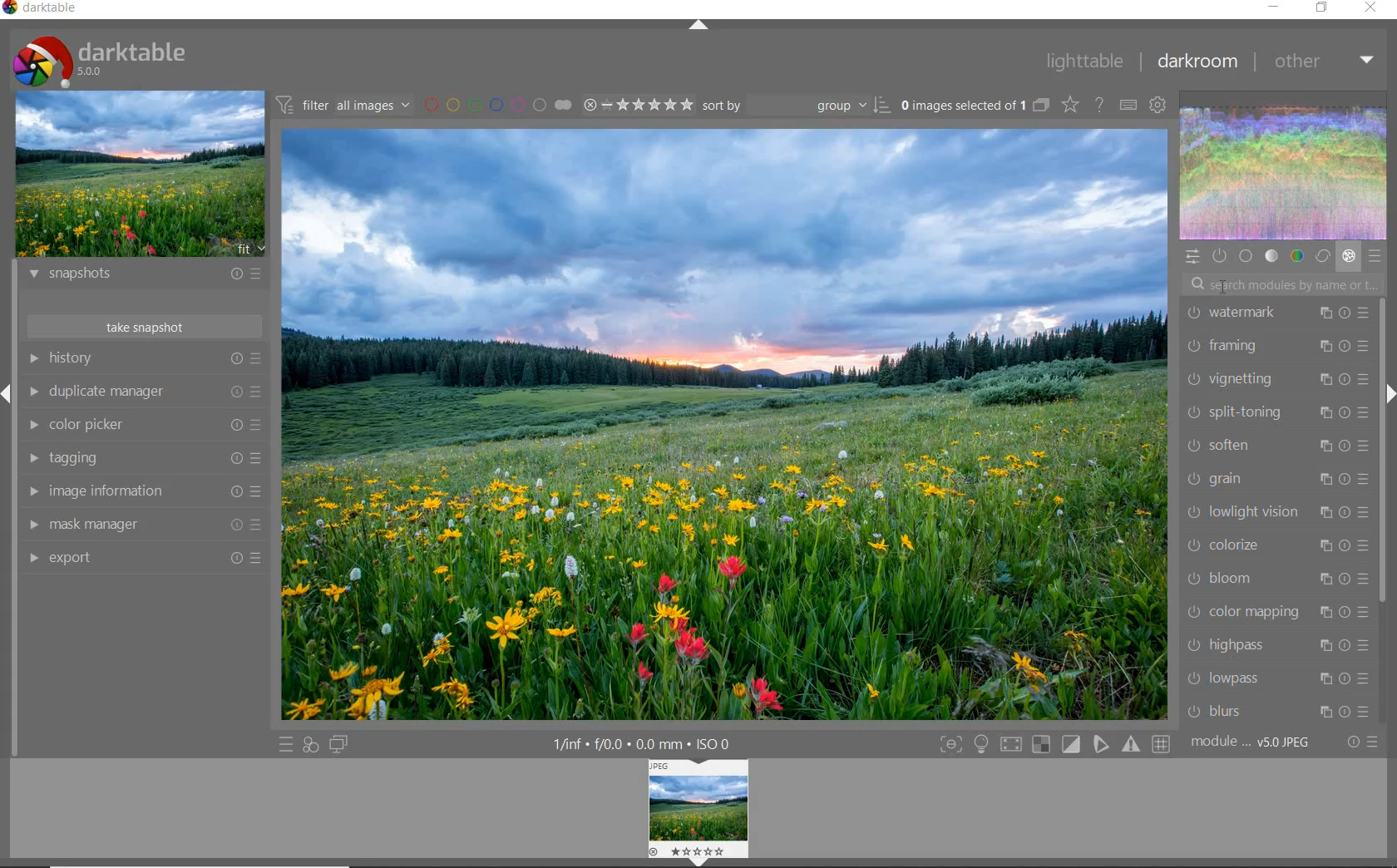 Image resolution: width=1397 pixels, height=868 pixels. I want to click on duplicate manager, so click(146, 394).